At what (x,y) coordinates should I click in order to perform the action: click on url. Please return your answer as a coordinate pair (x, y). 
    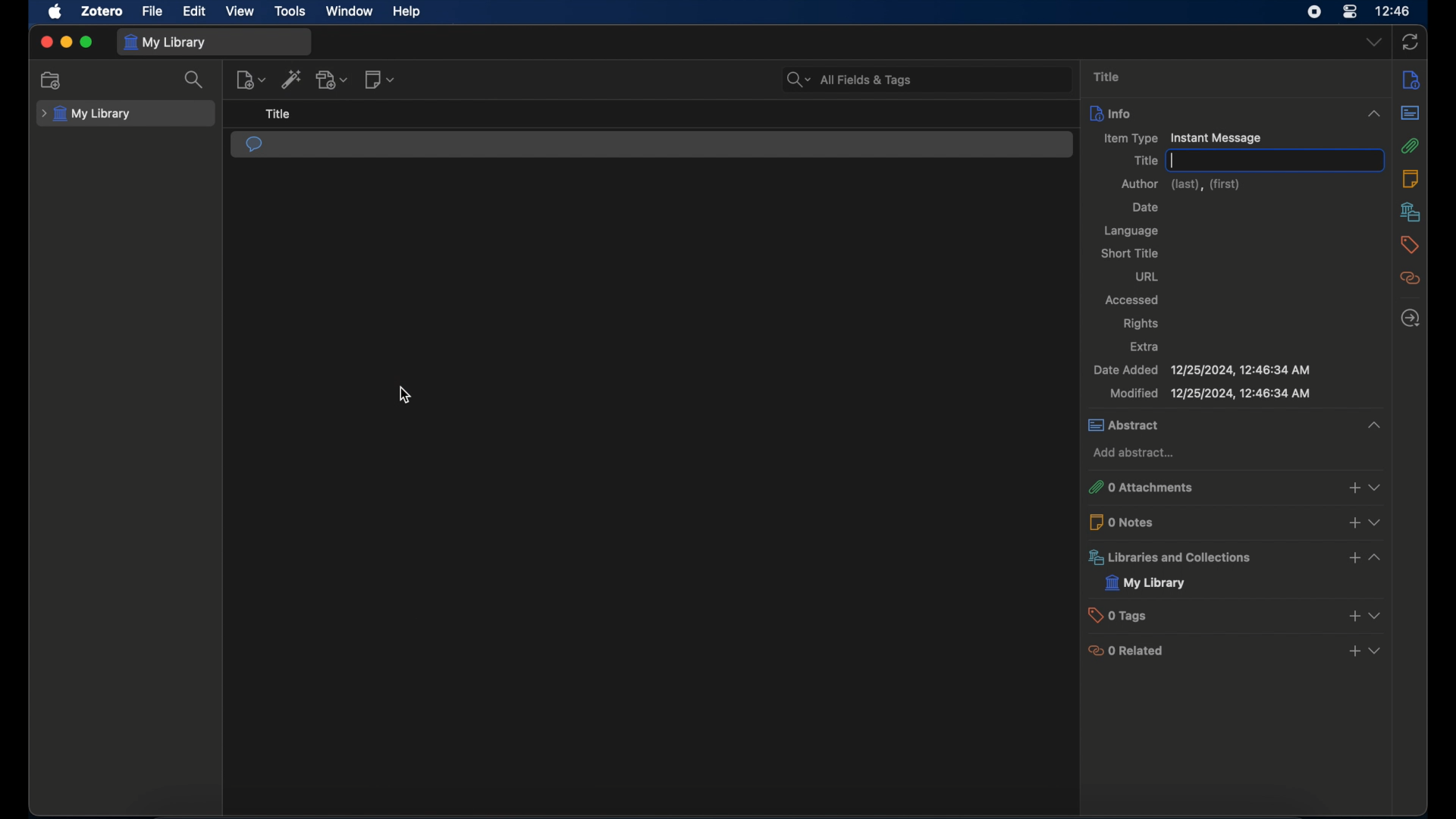
    Looking at the image, I should click on (1147, 277).